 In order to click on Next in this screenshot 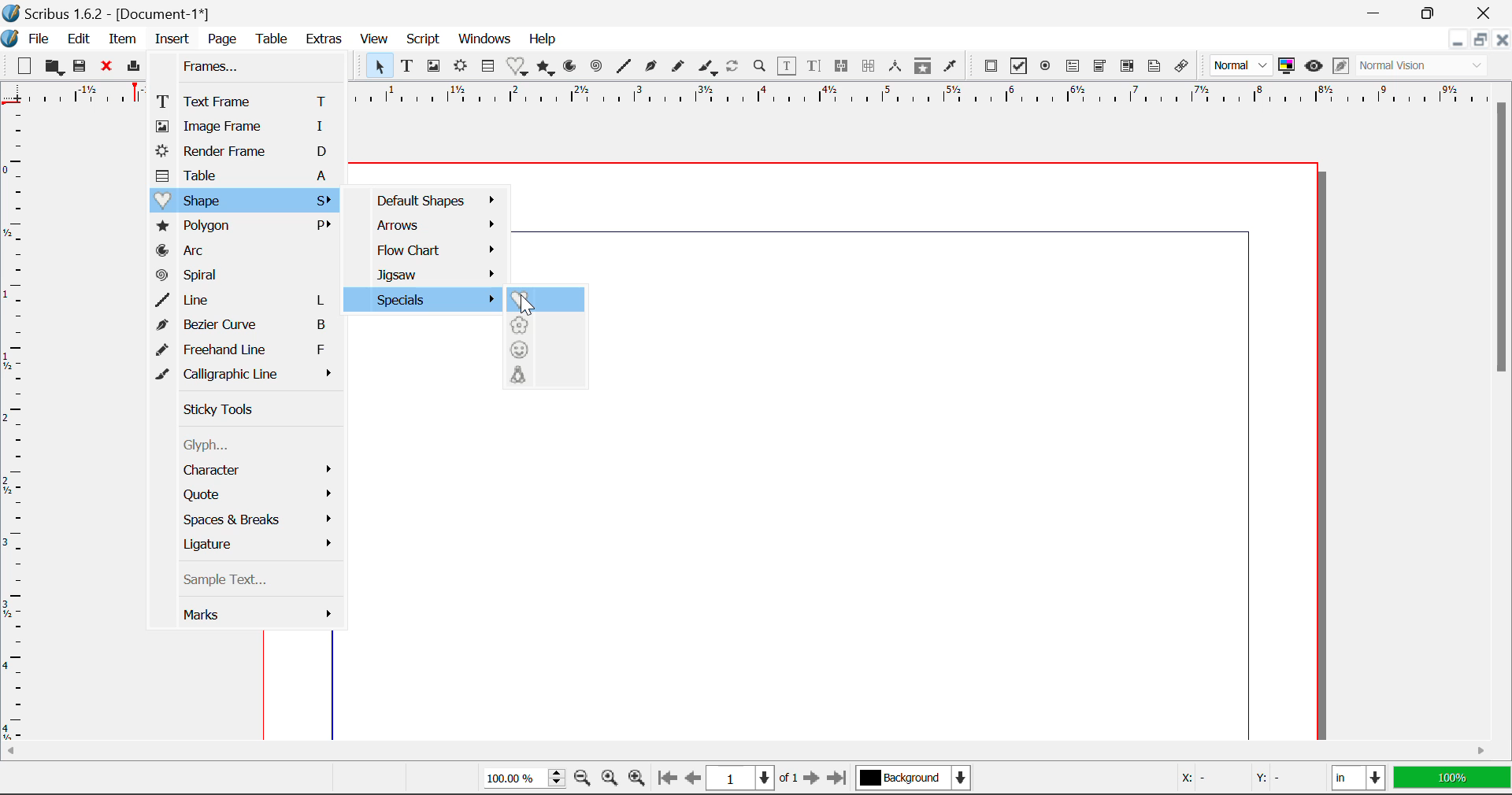, I will do `click(813, 779)`.